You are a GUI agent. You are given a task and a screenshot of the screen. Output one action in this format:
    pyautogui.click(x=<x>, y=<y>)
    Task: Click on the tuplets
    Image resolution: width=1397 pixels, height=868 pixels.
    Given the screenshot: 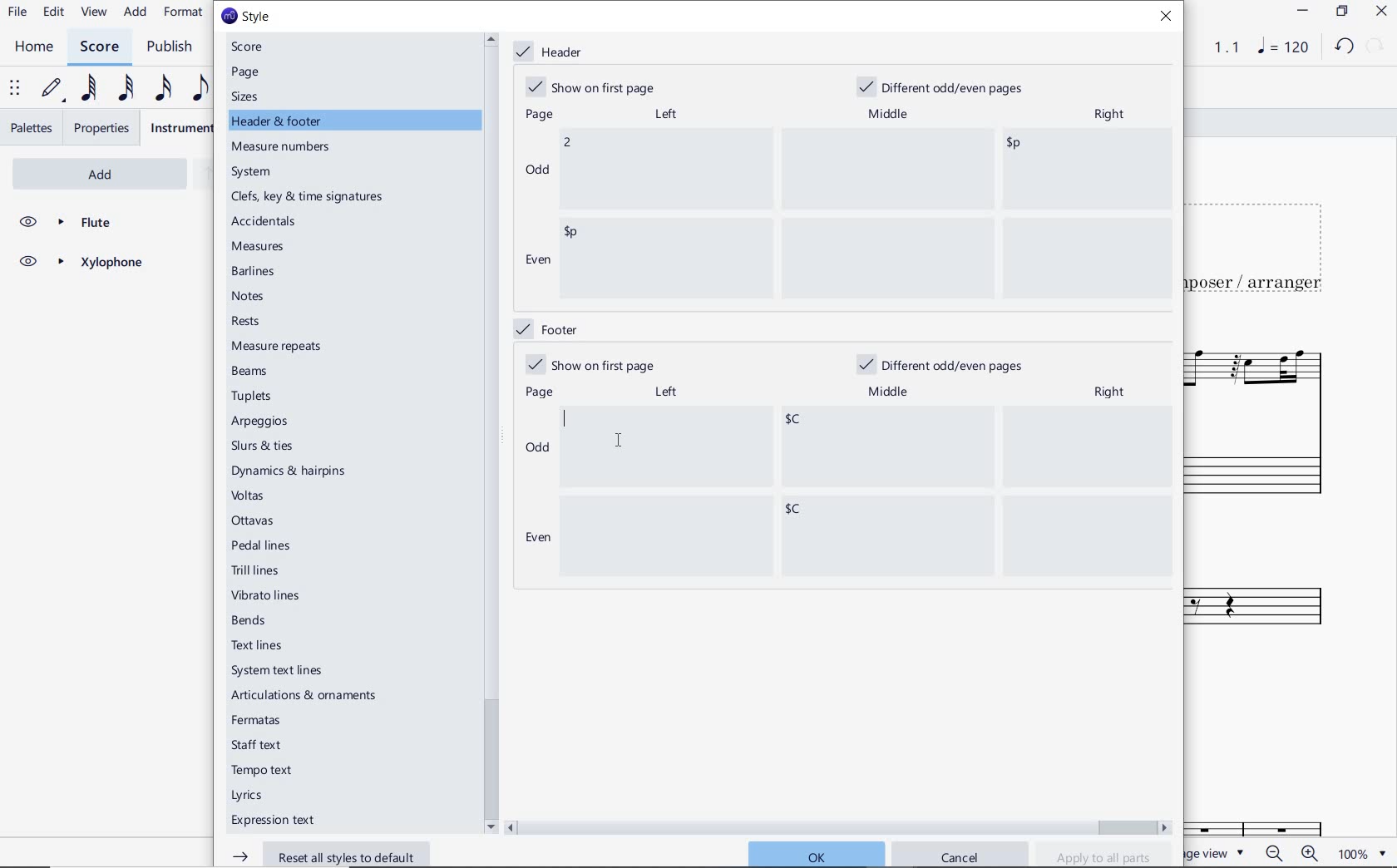 What is the action you would take?
    pyautogui.click(x=254, y=397)
    